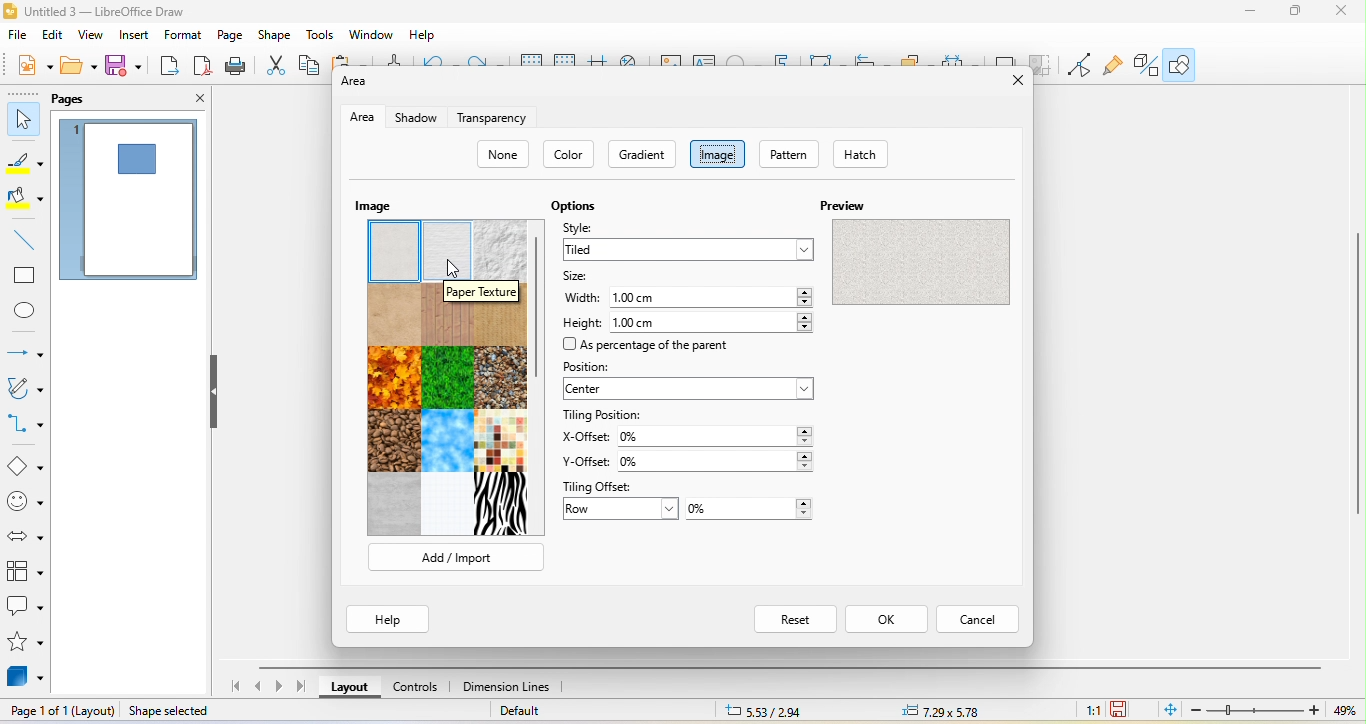 This screenshot has height=724, width=1366. Describe the element at coordinates (790, 618) in the screenshot. I see `reset` at that location.